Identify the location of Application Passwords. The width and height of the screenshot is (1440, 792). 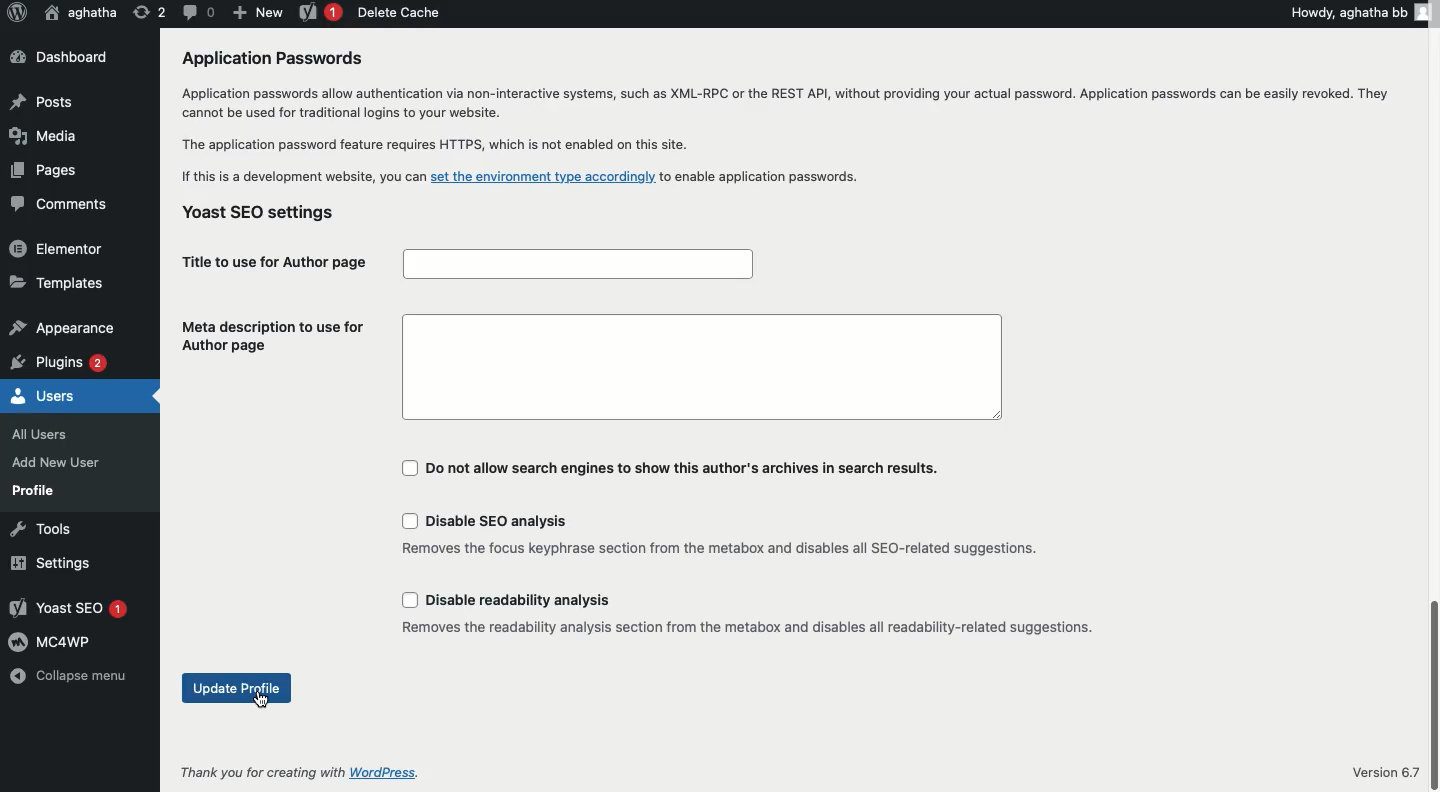
(276, 59).